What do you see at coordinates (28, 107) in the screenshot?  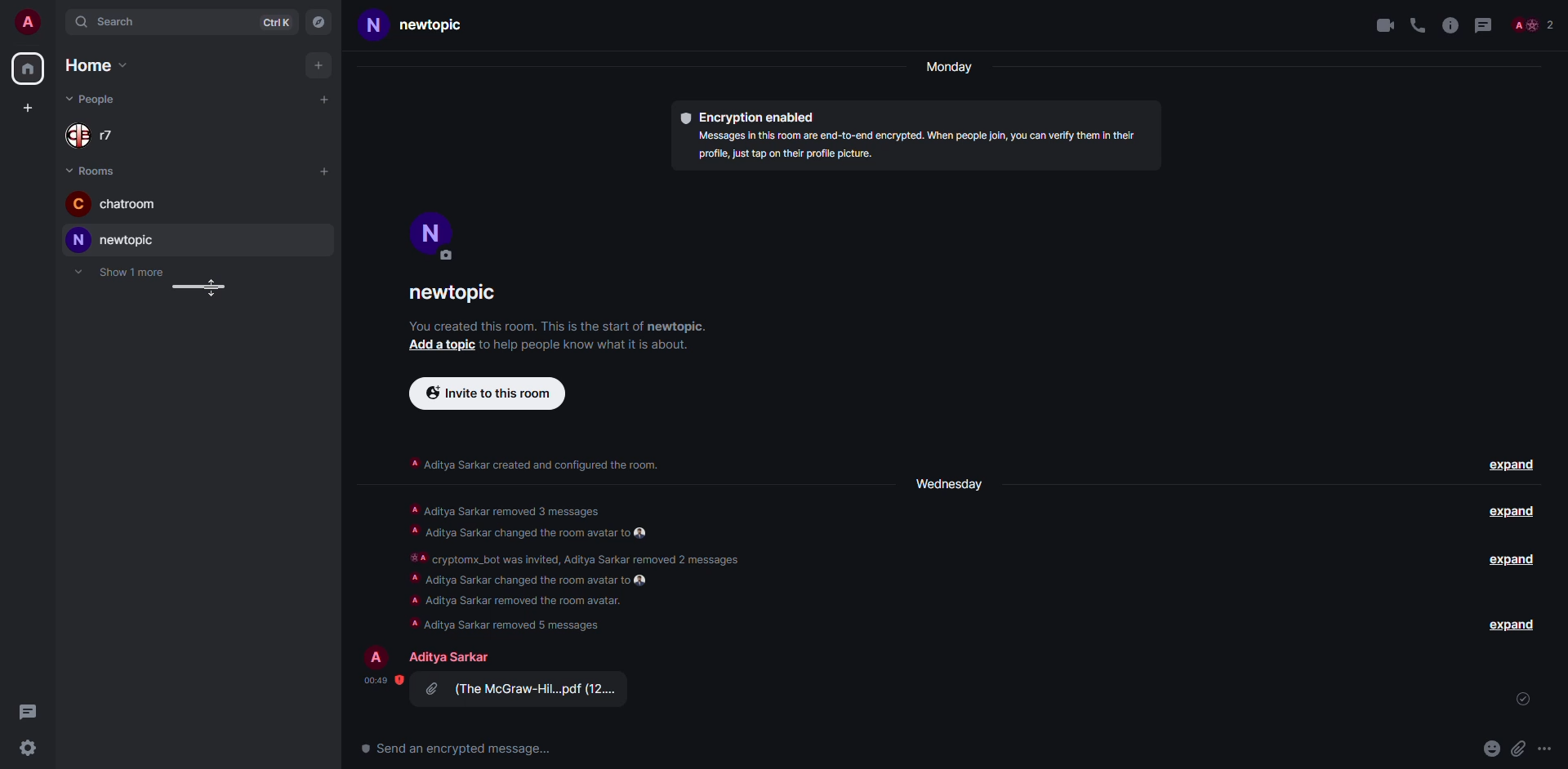 I see `add` at bounding box center [28, 107].